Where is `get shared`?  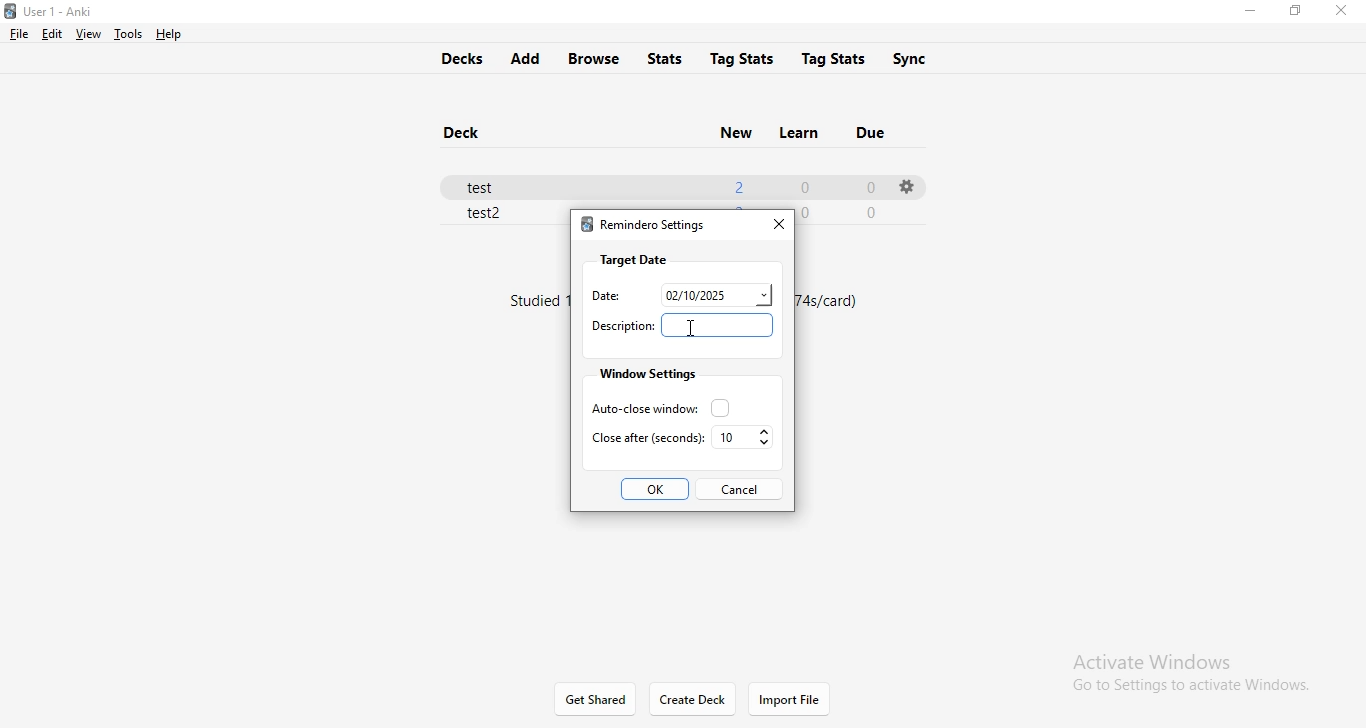
get shared is located at coordinates (597, 700).